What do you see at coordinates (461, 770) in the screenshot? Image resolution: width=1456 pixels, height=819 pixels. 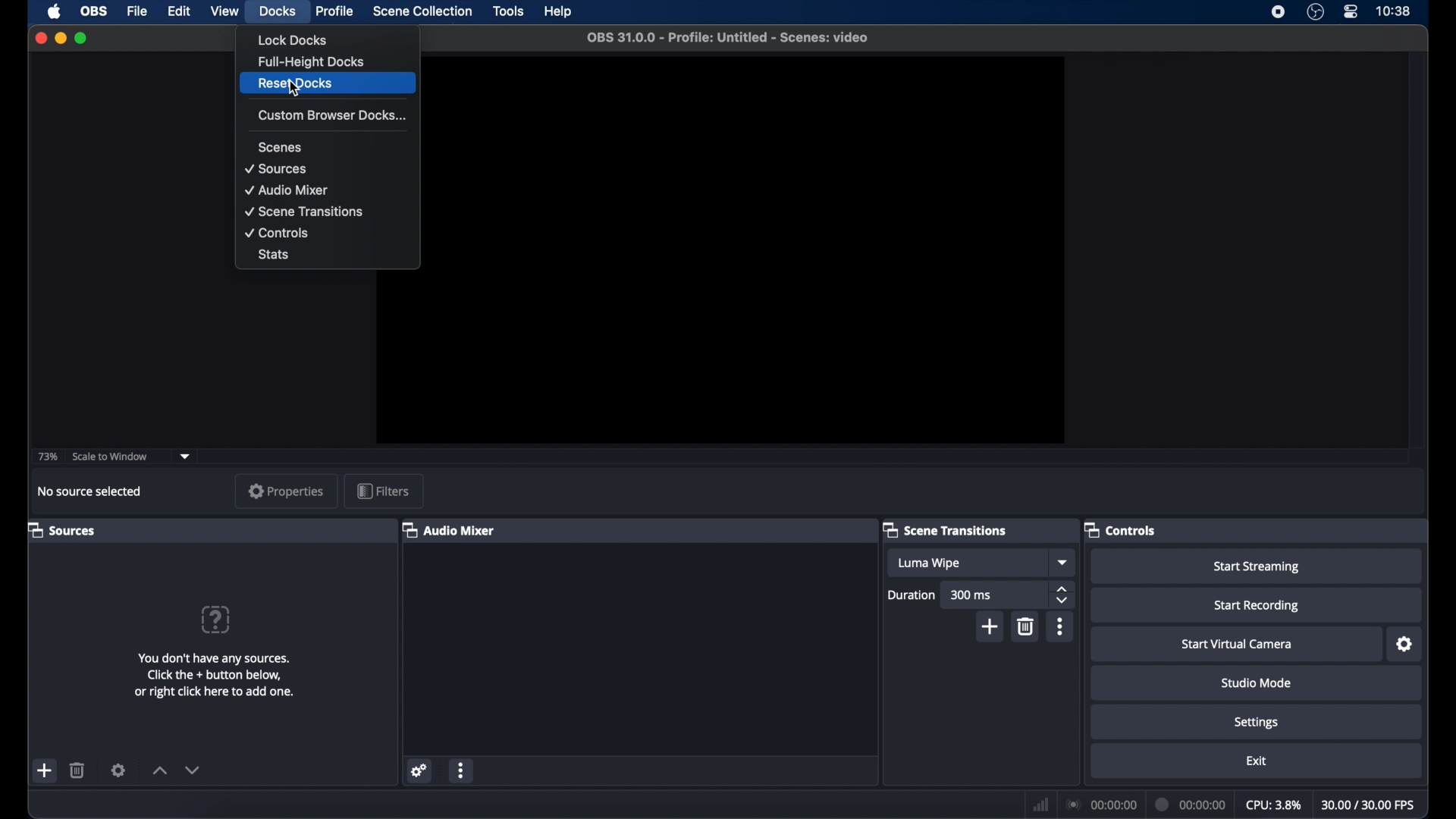 I see `more options` at bounding box center [461, 770].